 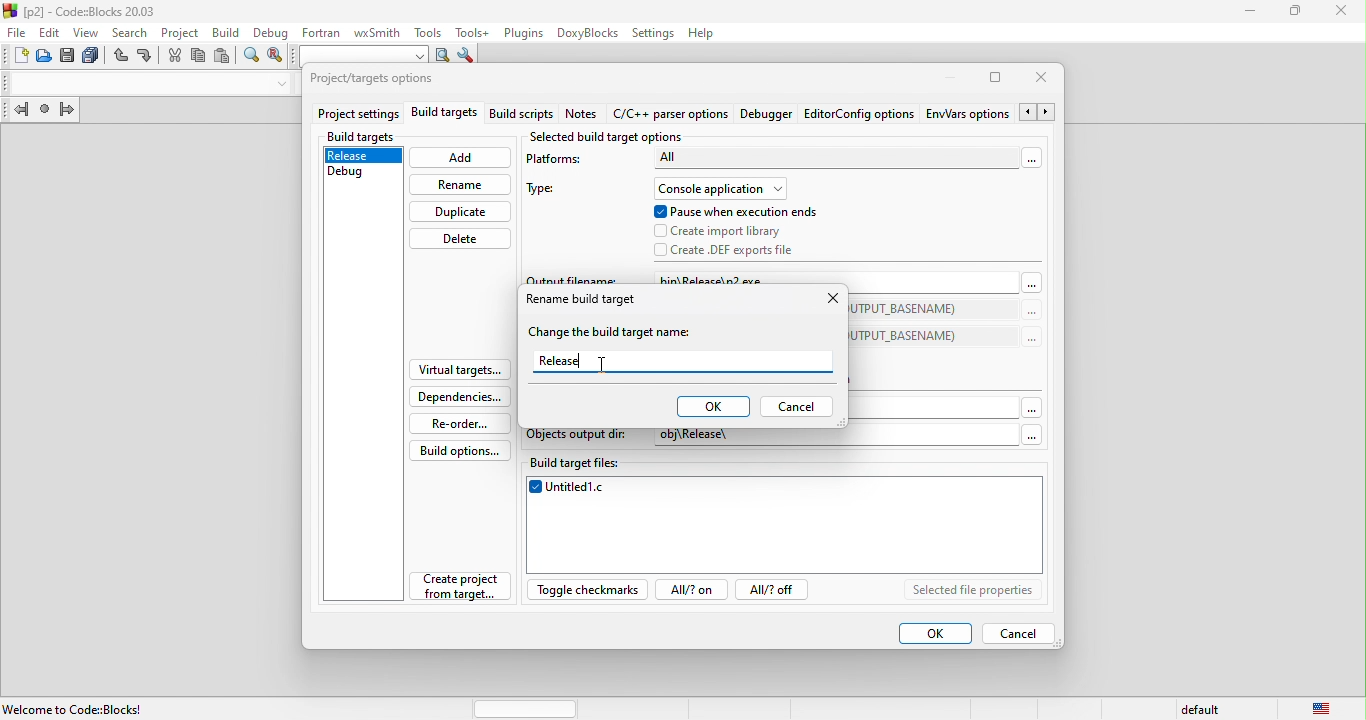 What do you see at coordinates (222, 57) in the screenshot?
I see `paste` at bounding box center [222, 57].